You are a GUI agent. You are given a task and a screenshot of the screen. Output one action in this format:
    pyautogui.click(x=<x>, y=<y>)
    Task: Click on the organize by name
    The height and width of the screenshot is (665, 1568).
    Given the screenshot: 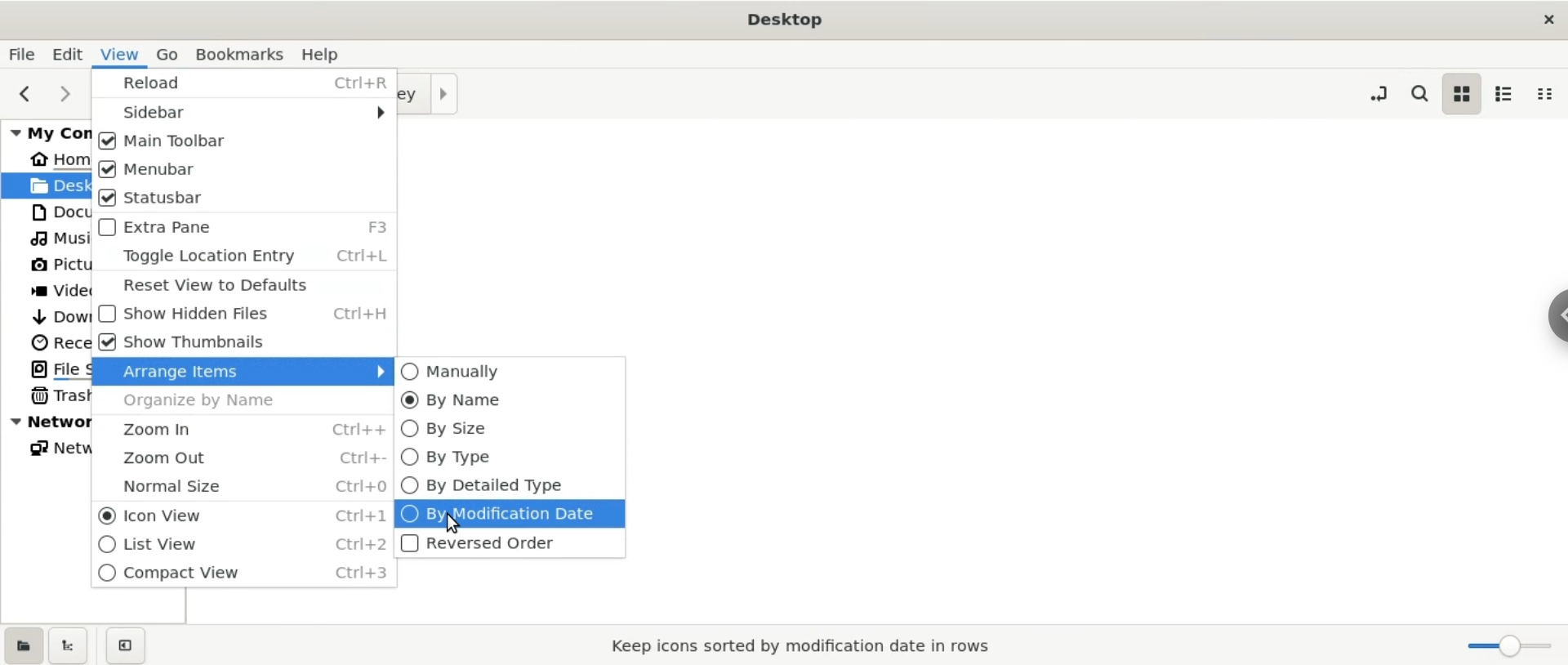 What is the action you would take?
    pyautogui.click(x=243, y=401)
    